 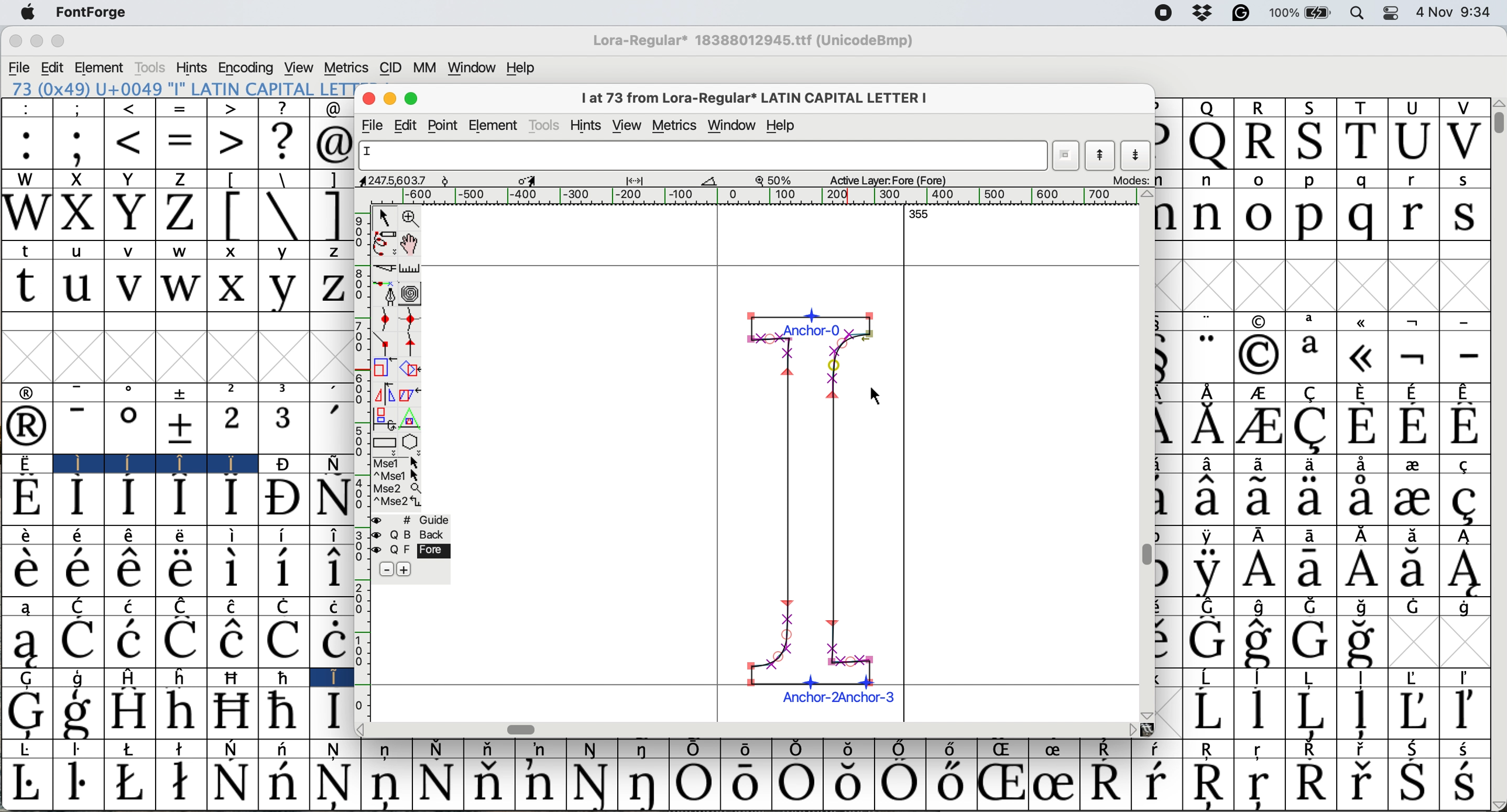 I want to click on Symbol, so click(x=1363, y=464).